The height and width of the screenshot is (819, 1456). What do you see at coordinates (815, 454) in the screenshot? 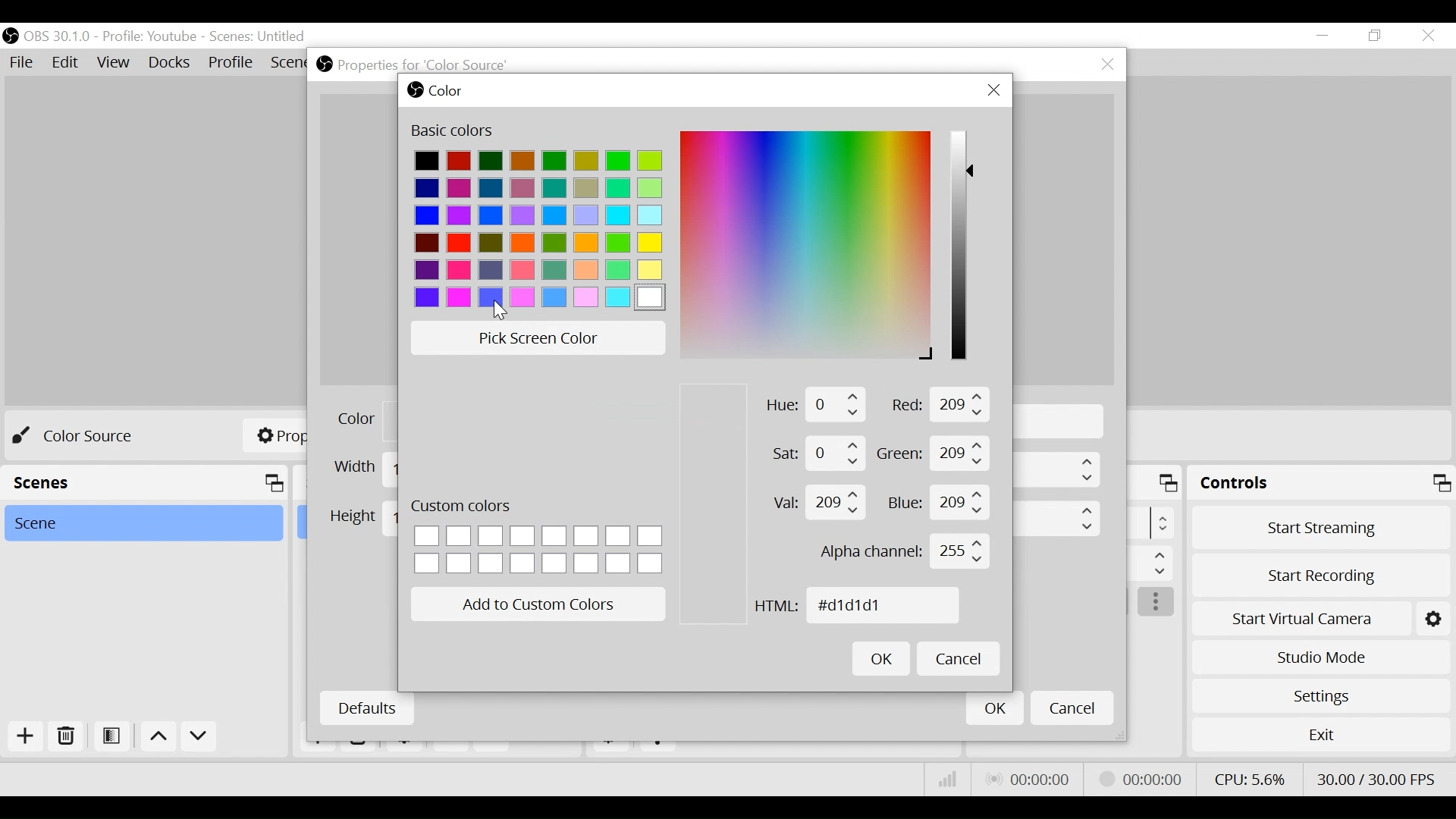
I see `Saturation` at bounding box center [815, 454].